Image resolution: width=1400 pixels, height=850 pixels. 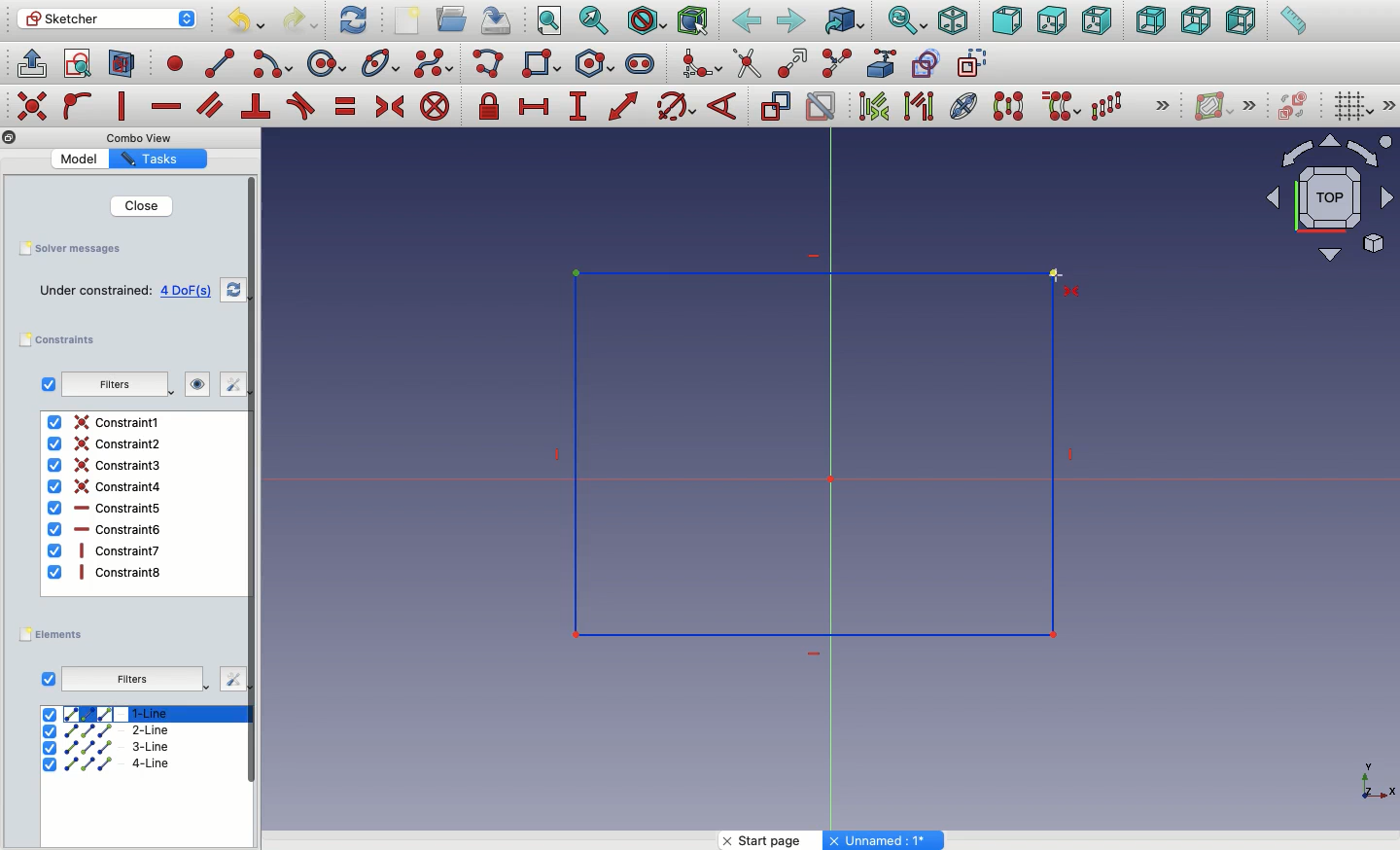 I want to click on refresh, so click(x=233, y=290).